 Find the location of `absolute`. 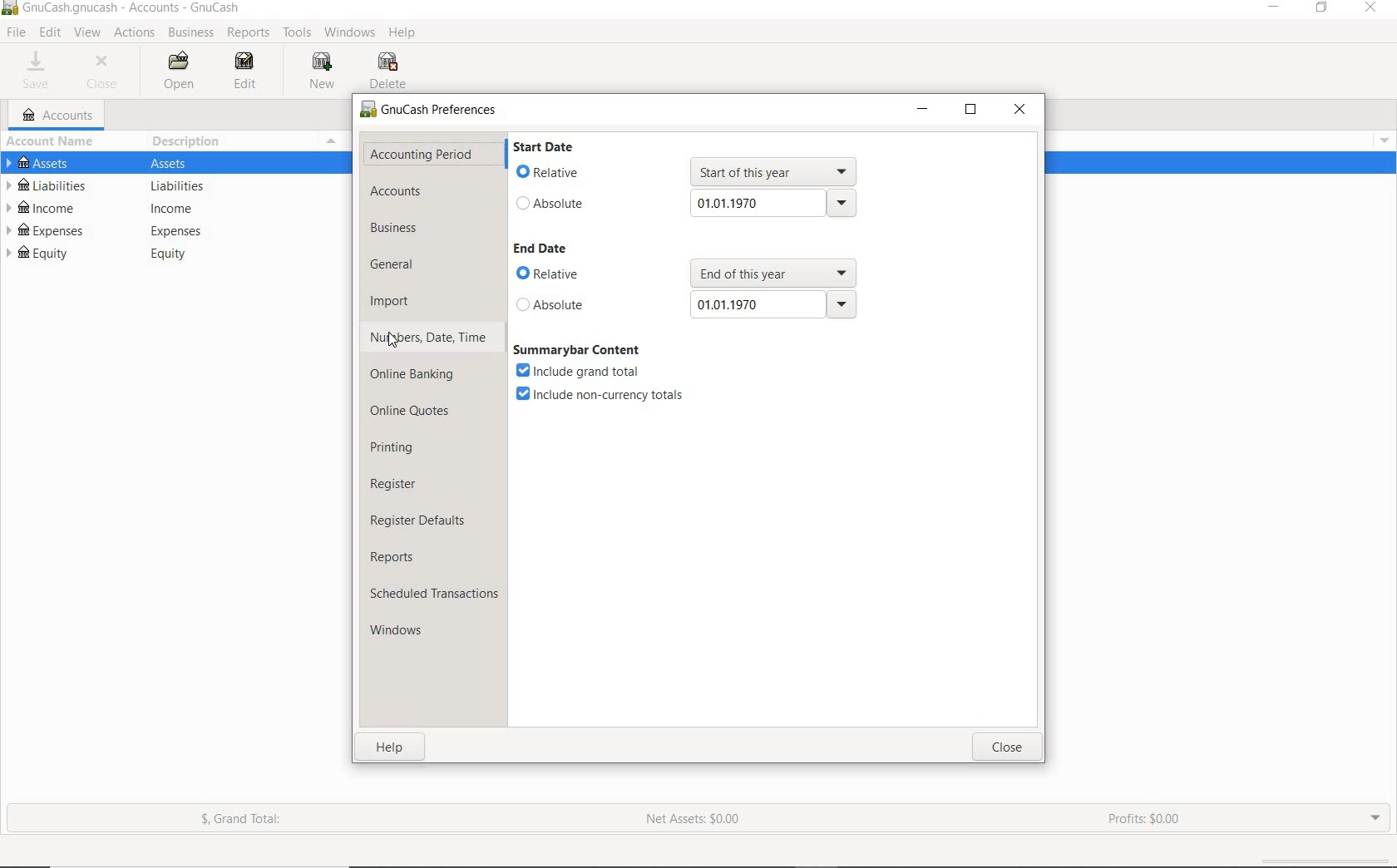

absolute is located at coordinates (554, 305).